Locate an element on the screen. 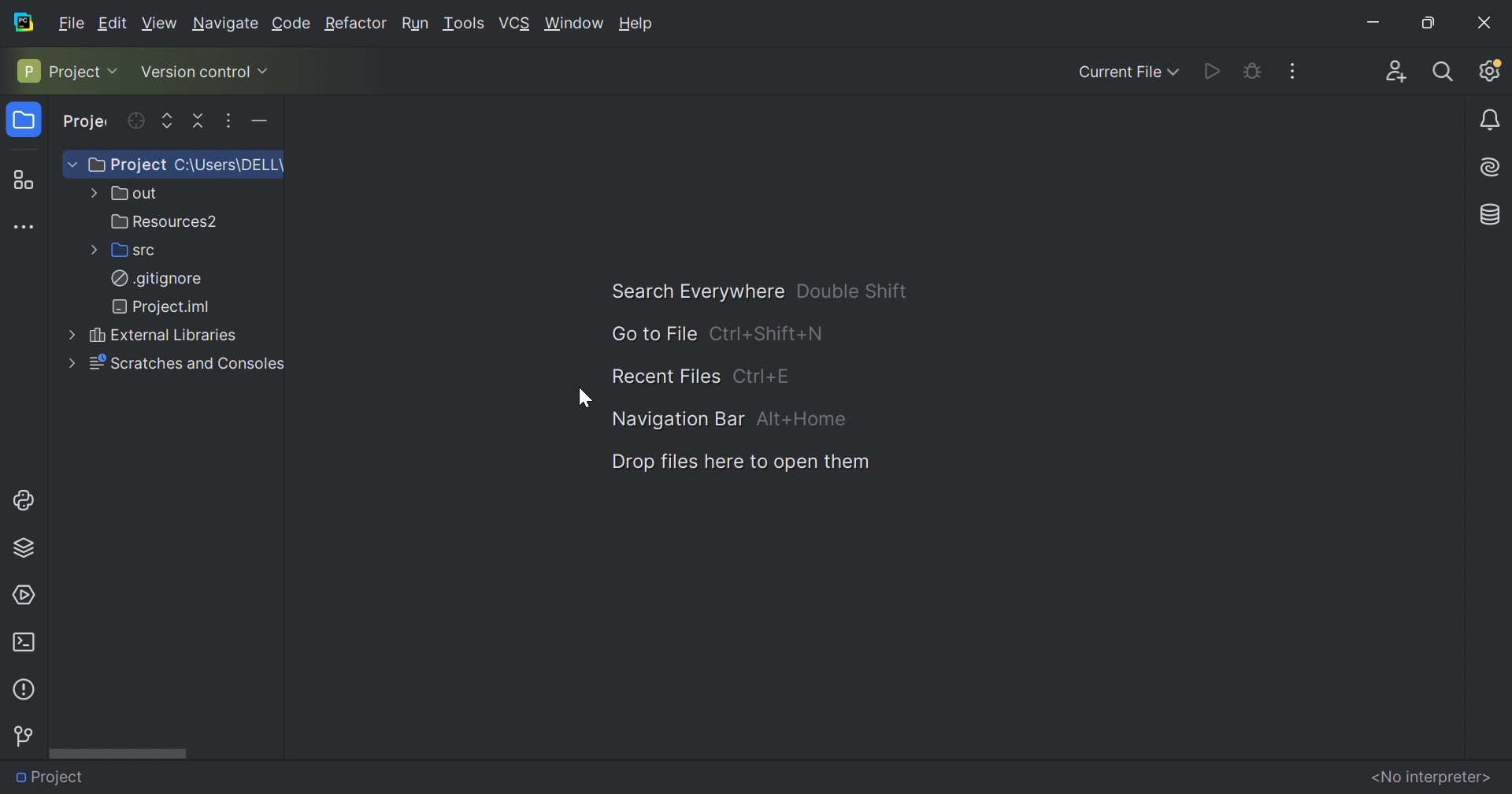 Image resolution: width=1512 pixels, height=794 pixels. Services is located at coordinates (26, 593).